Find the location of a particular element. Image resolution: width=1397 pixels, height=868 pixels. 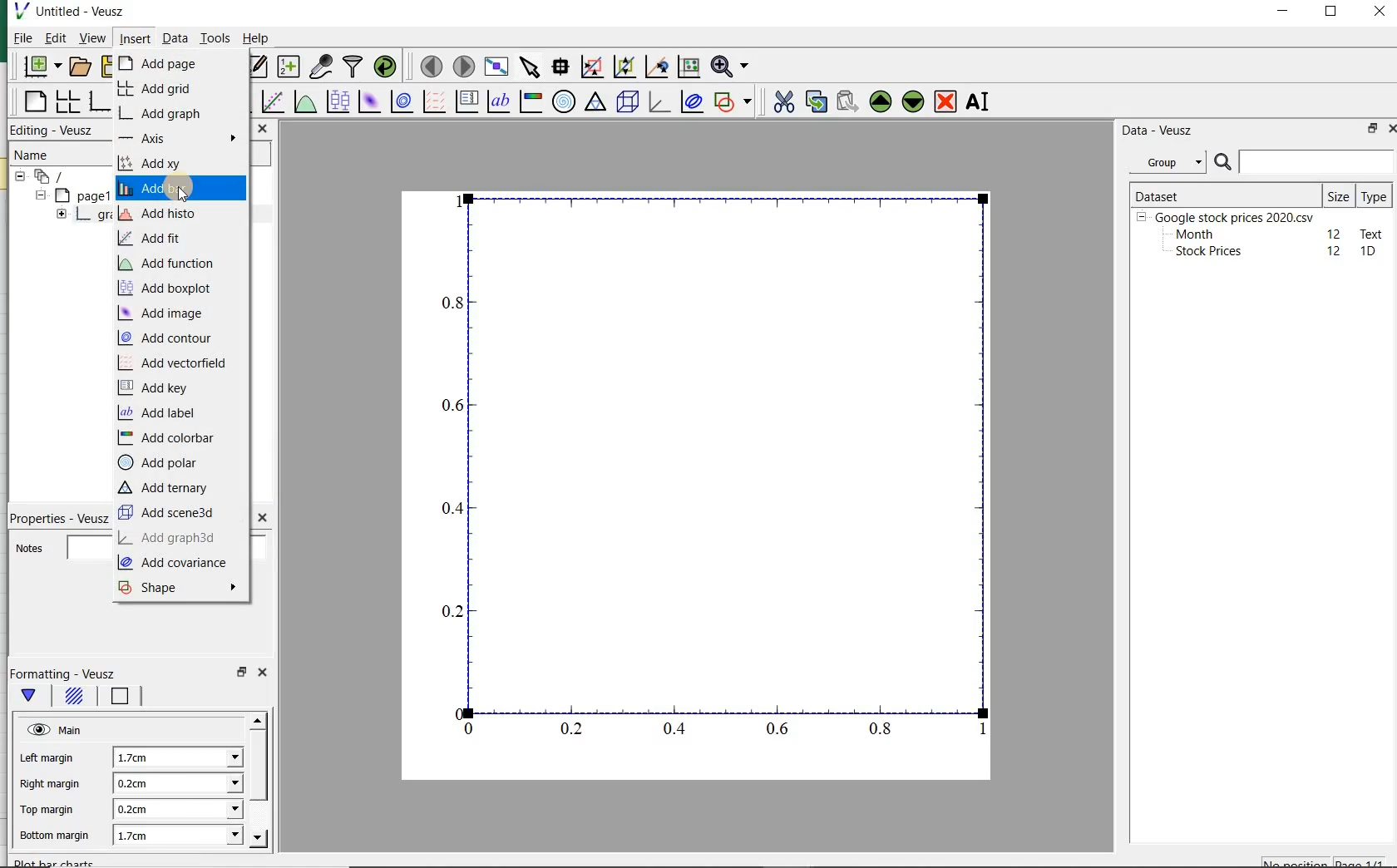

add a shape to the plot is located at coordinates (733, 102).